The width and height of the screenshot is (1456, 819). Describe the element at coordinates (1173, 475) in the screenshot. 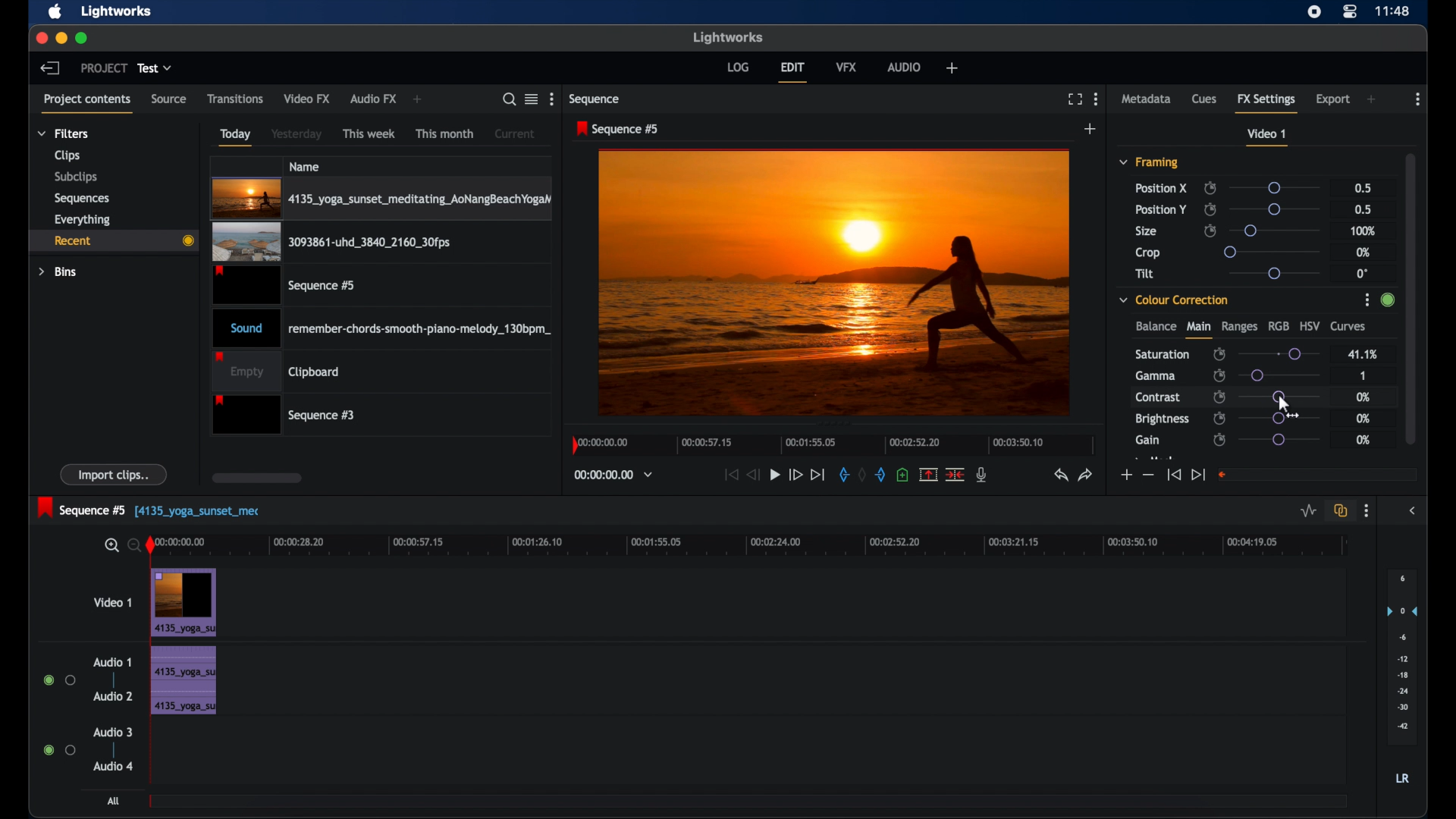

I see `jump to start` at that location.